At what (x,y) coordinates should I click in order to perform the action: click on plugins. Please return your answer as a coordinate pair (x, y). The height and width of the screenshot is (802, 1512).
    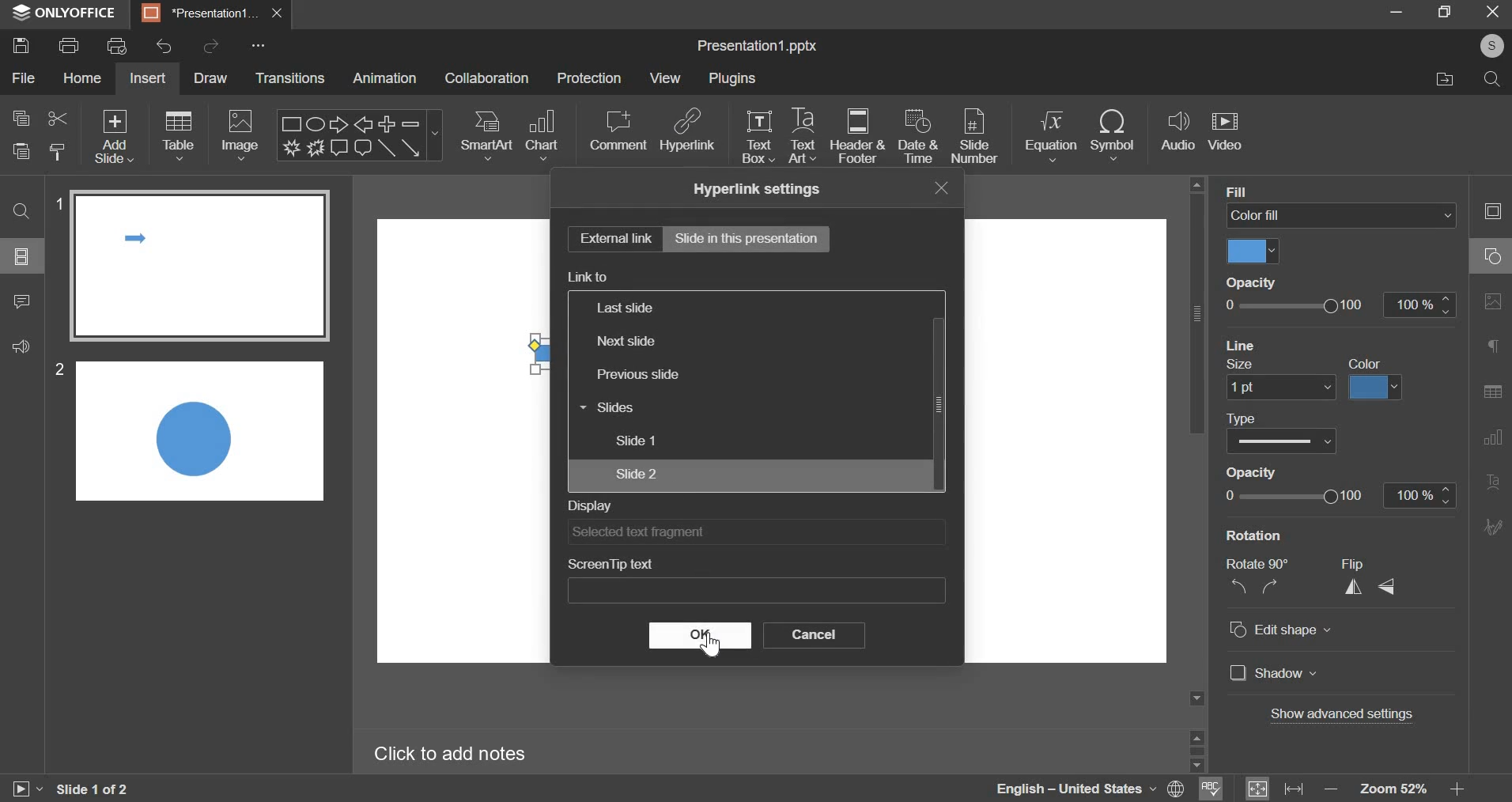
    Looking at the image, I should click on (733, 78).